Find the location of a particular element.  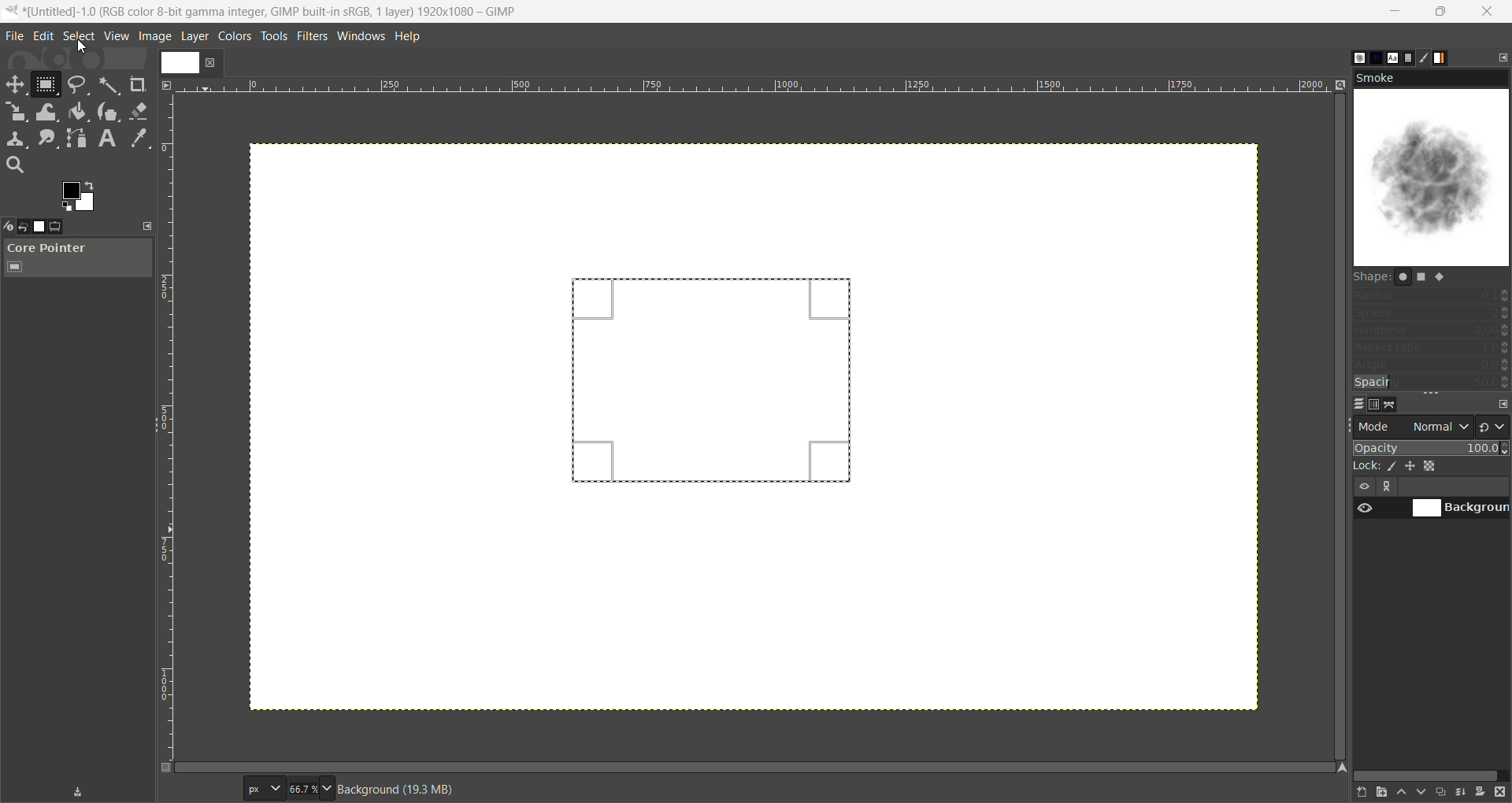

configure this tab is located at coordinates (1503, 402).